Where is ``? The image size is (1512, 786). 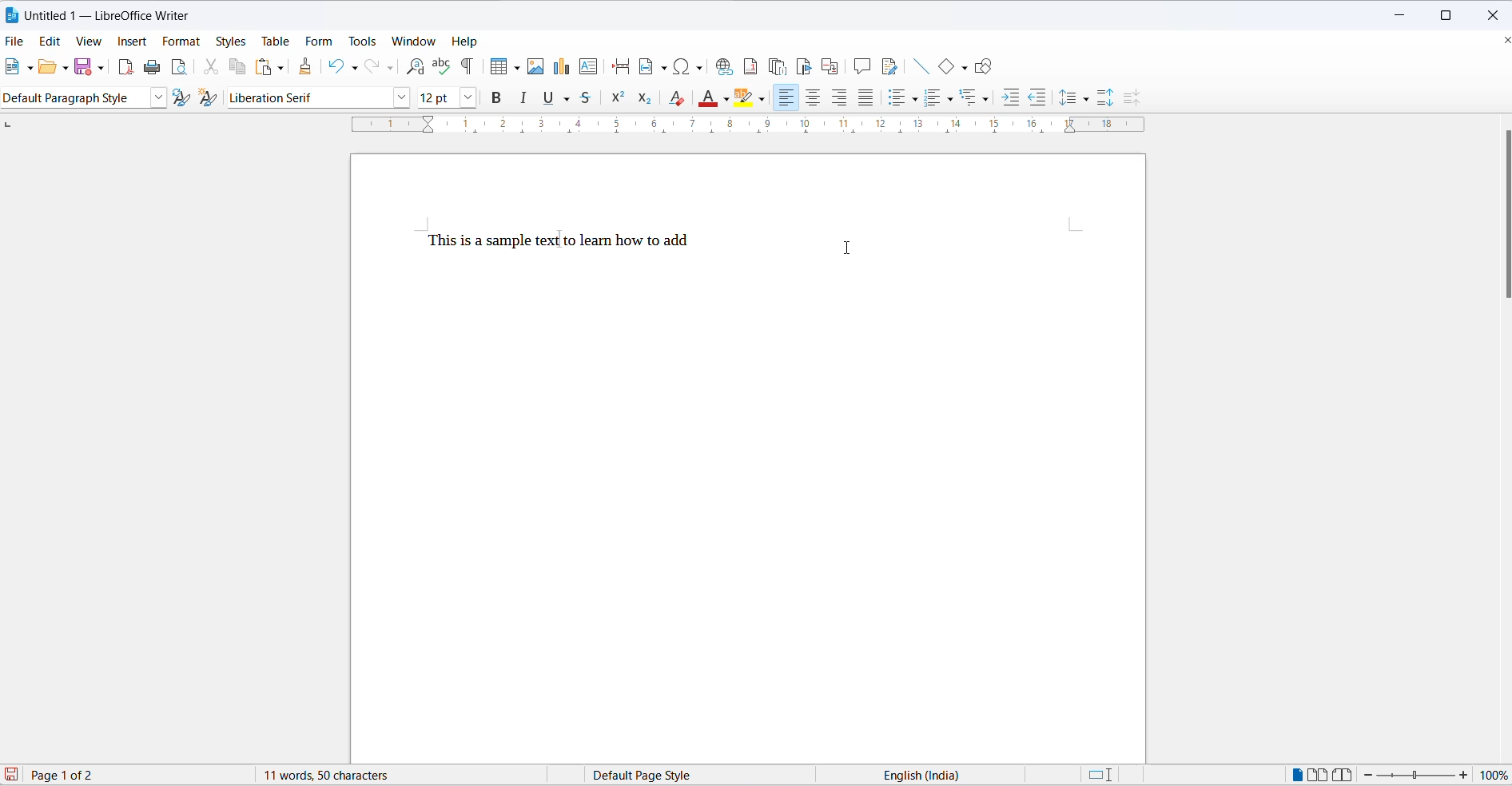
 is located at coordinates (940, 97).